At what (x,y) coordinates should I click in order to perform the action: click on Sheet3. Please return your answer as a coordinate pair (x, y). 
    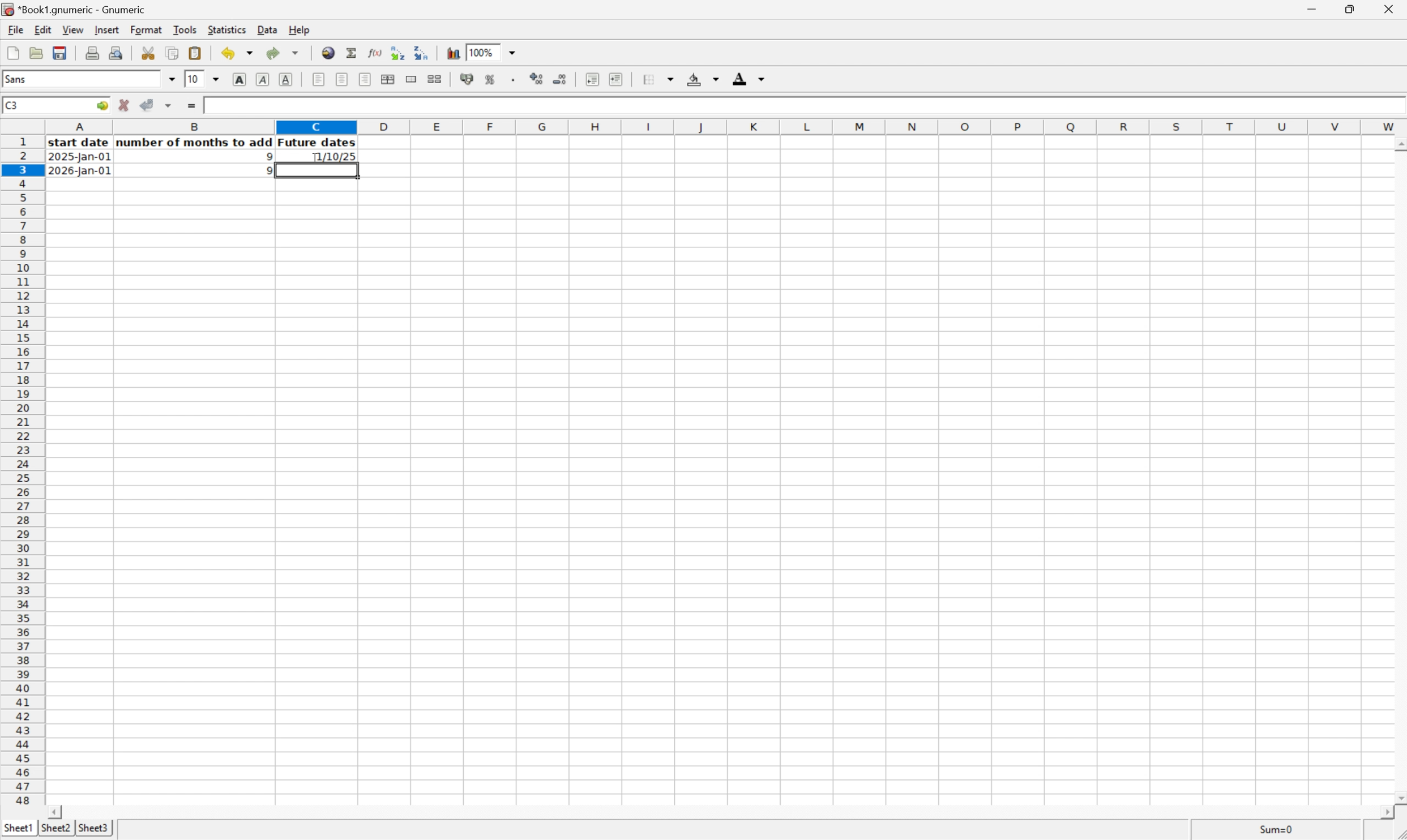
    Looking at the image, I should click on (95, 829).